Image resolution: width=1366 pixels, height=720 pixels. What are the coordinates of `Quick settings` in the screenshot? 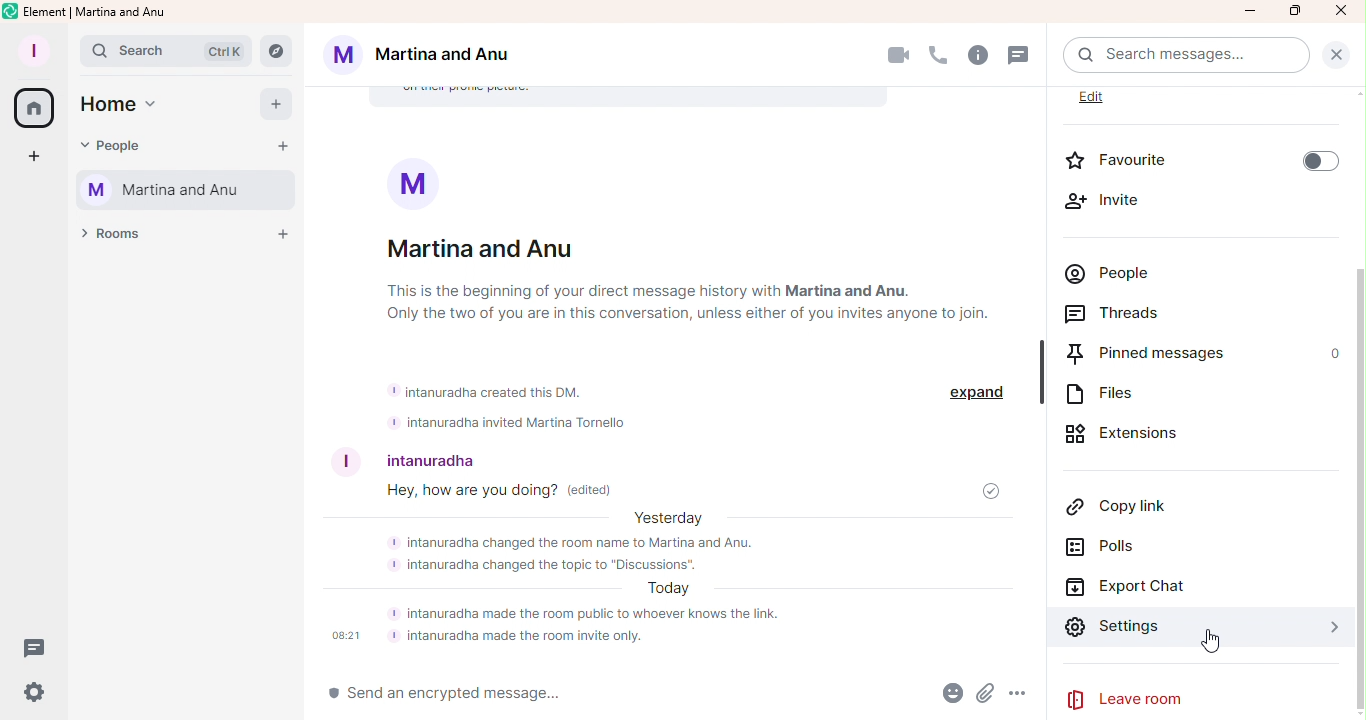 It's located at (33, 698).